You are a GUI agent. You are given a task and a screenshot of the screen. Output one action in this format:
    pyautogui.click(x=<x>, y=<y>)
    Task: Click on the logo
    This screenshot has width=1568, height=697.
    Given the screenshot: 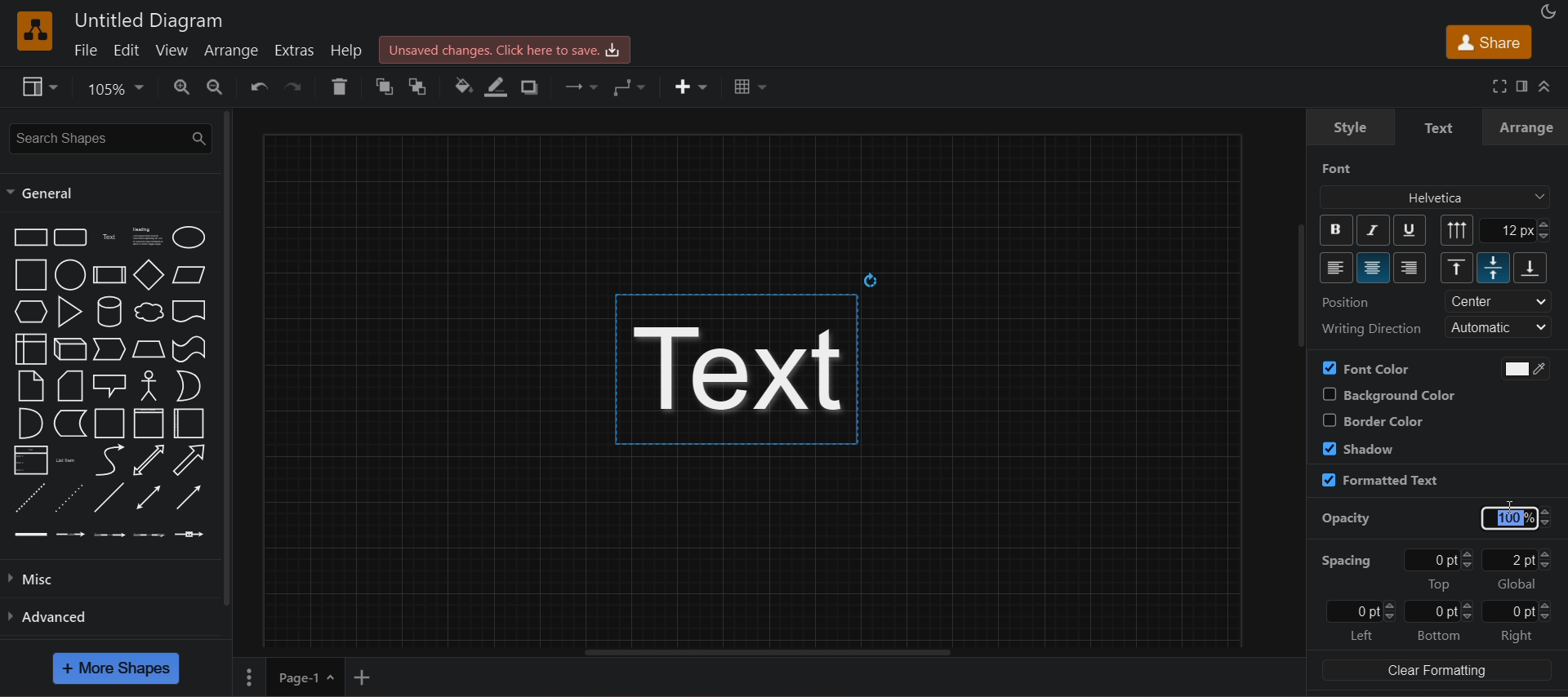 What is the action you would take?
    pyautogui.click(x=36, y=31)
    